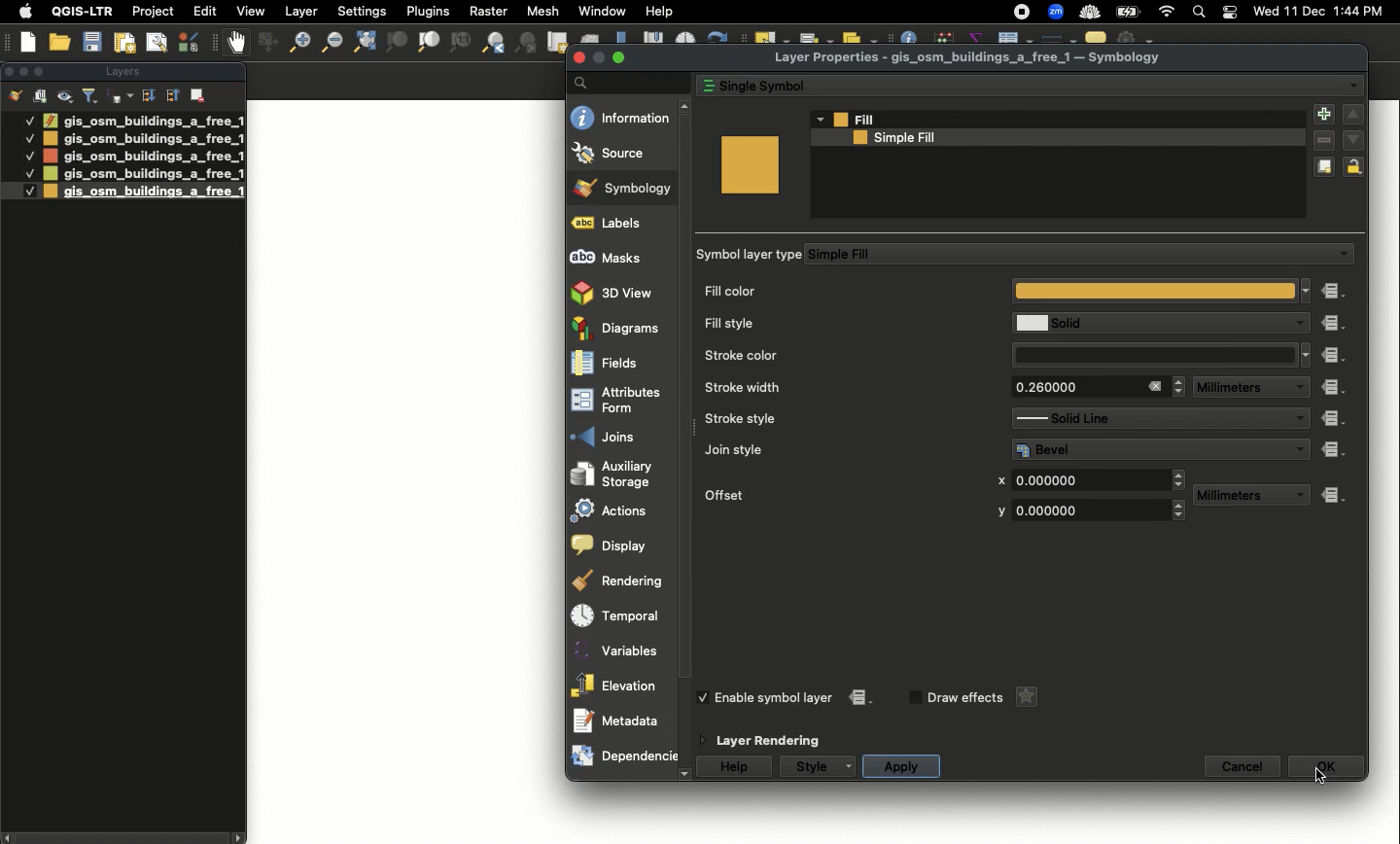  Describe the element at coordinates (556, 43) in the screenshot. I see `New map view` at that location.